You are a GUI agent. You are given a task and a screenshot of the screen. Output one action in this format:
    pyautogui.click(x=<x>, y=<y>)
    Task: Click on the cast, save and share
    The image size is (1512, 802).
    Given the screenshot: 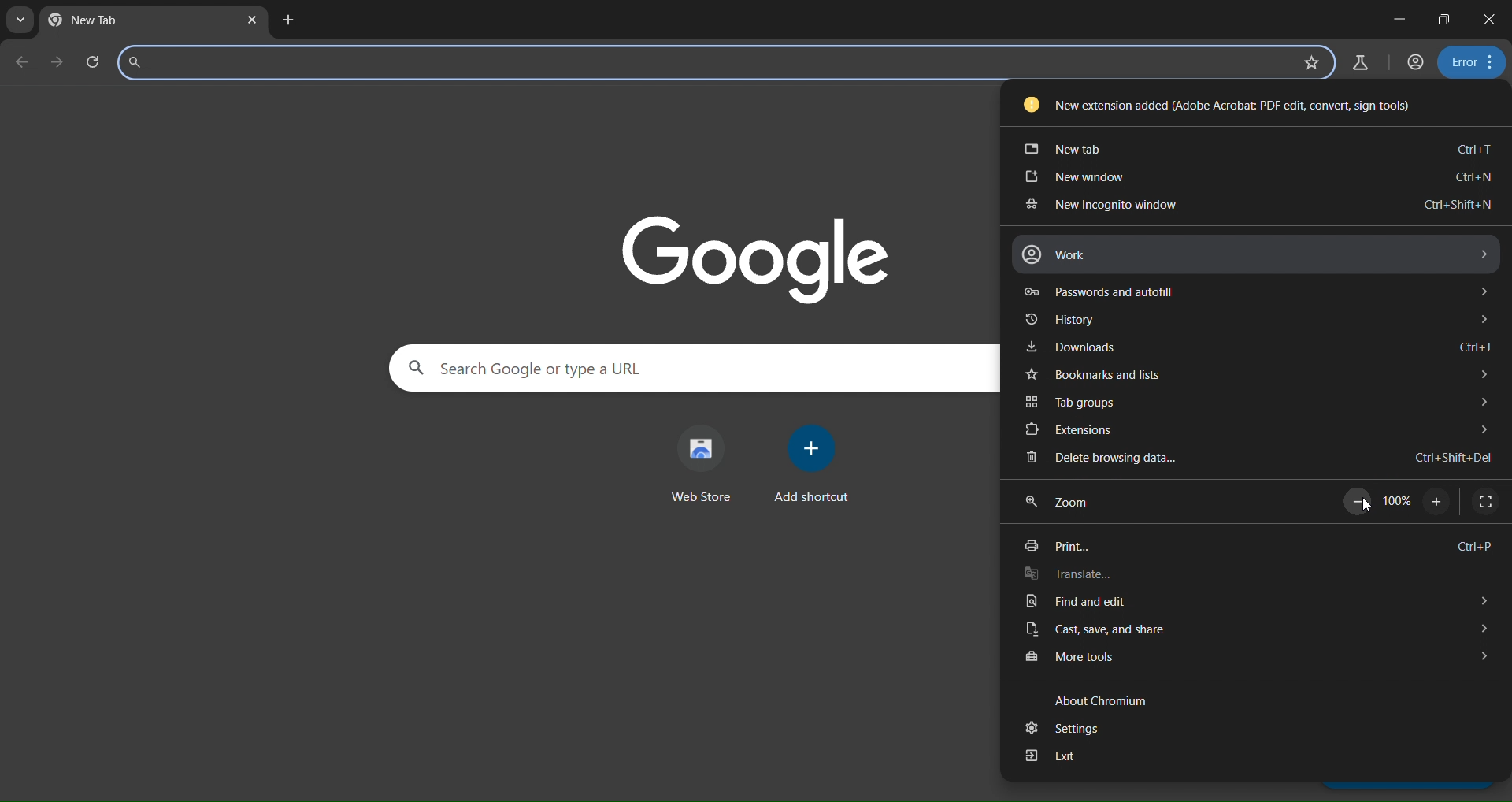 What is the action you would take?
    pyautogui.click(x=1253, y=631)
    